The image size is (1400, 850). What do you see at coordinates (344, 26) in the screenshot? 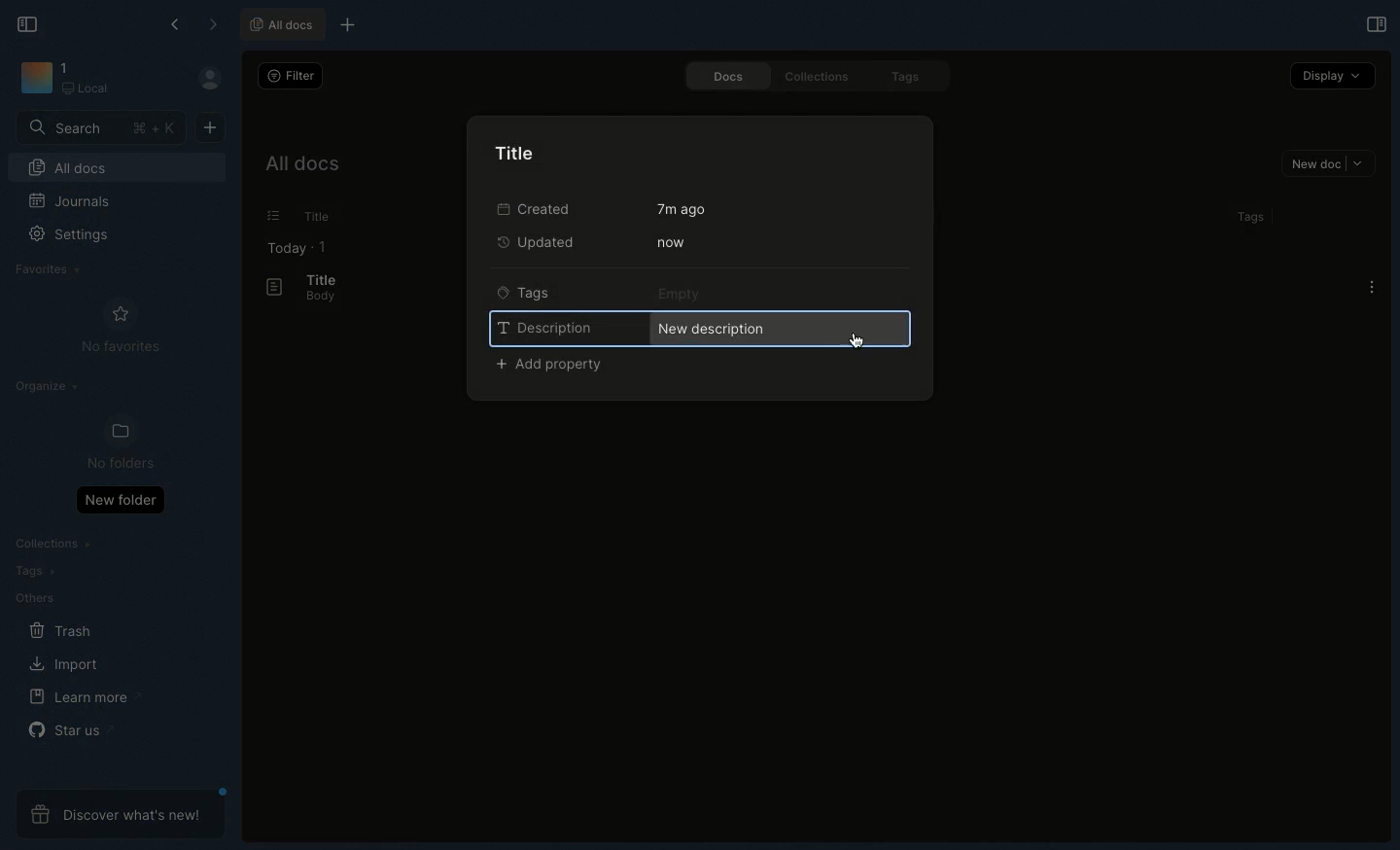
I see `New tab` at bounding box center [344, 26].